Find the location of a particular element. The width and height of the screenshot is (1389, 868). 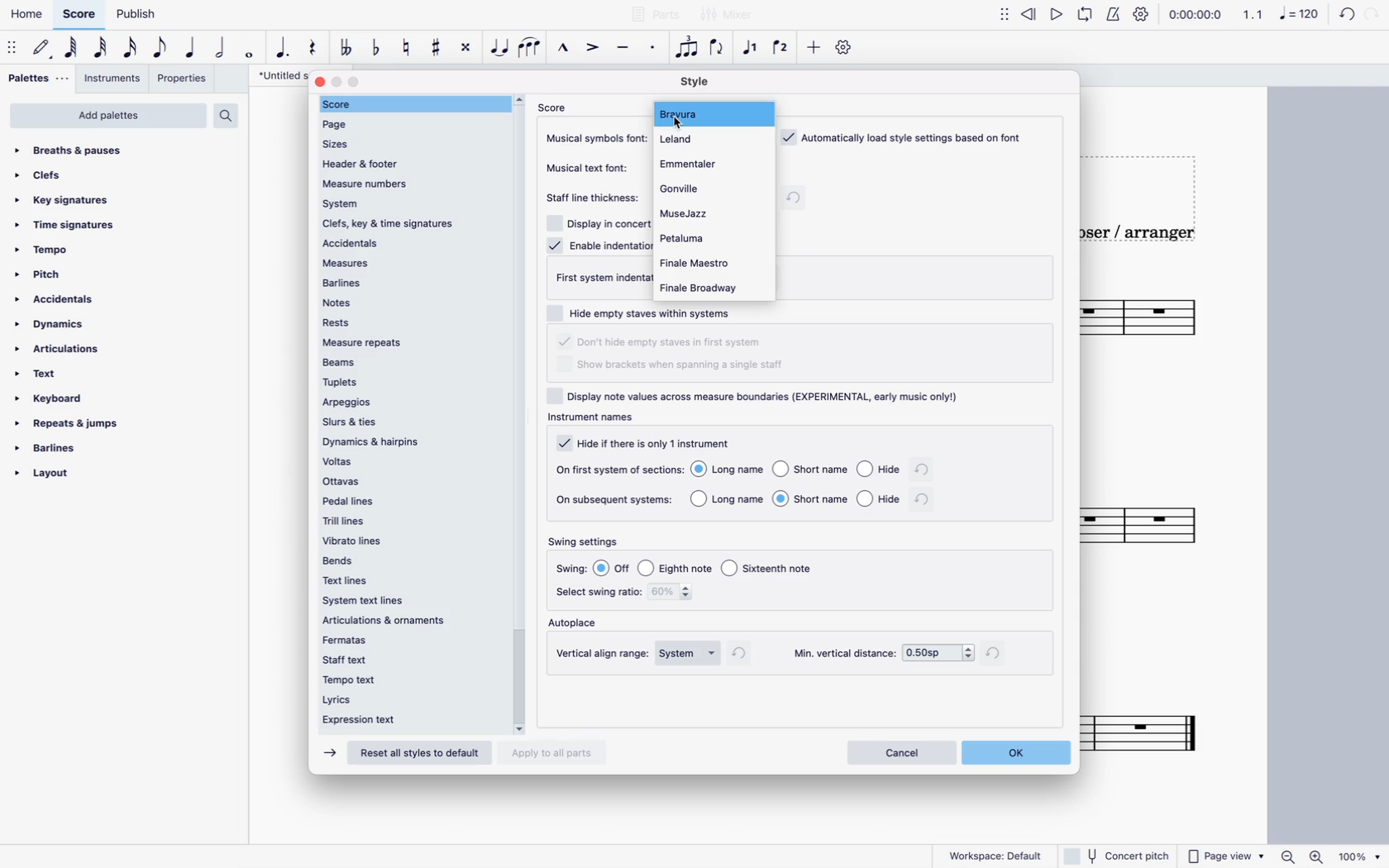

time signatures is located at coordinates (70, 225).